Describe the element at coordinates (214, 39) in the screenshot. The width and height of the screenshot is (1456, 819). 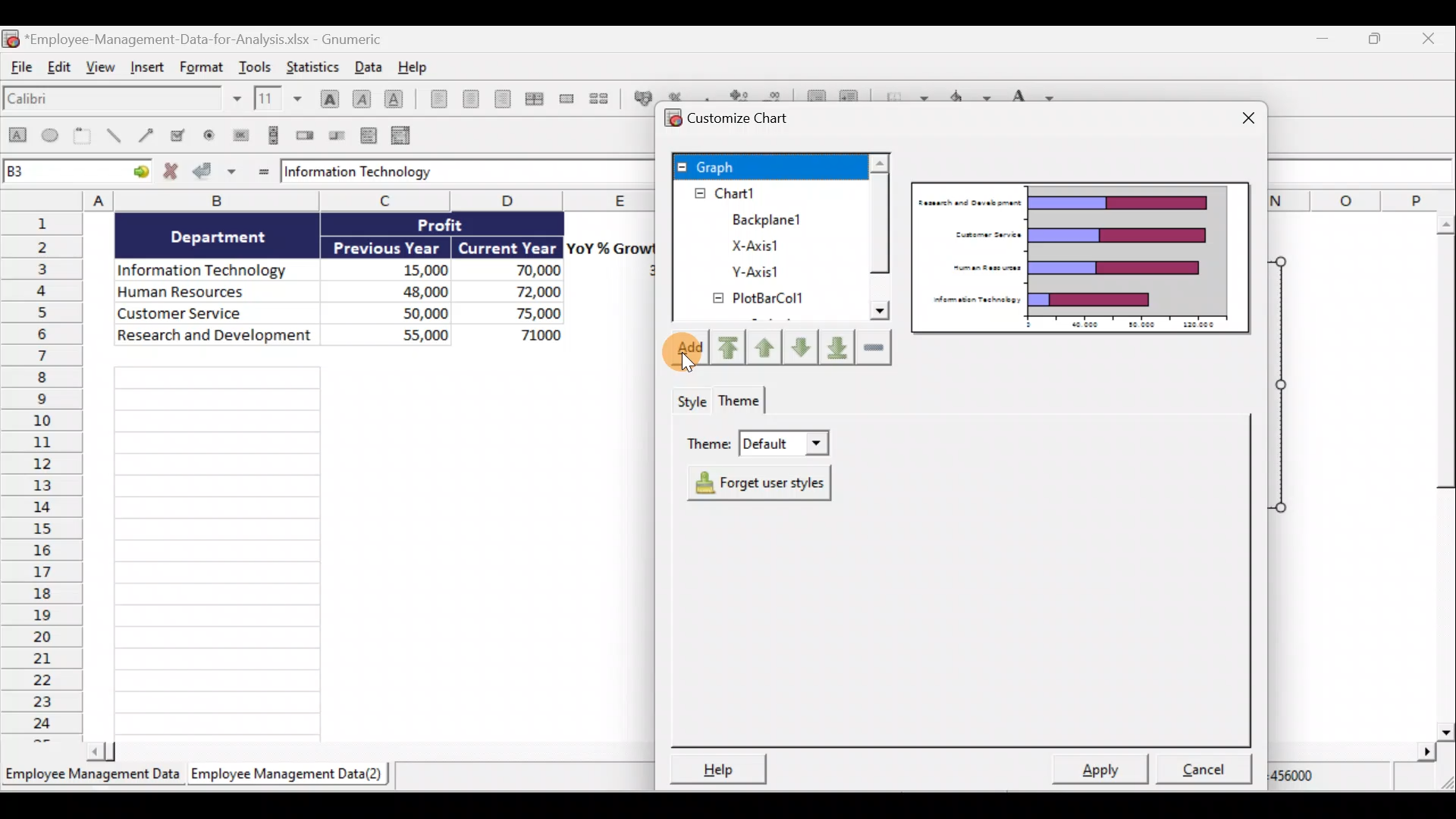
I see `*Employee-Management-Data-for-Analysis.xlsx - Gnumeric` at that location.